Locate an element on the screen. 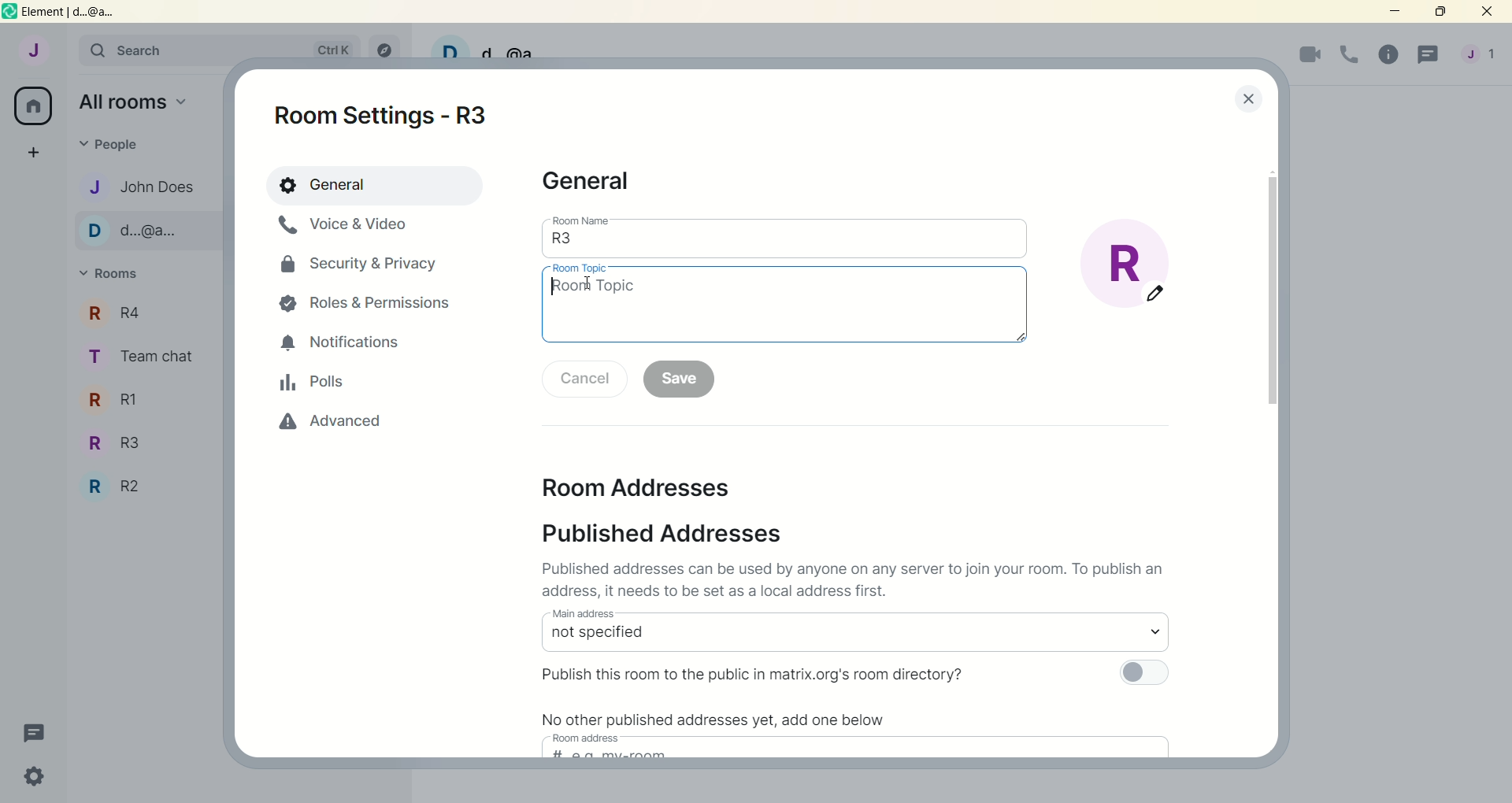 This screenshot has width=1512, height=803. voice call is located at coordinates (1350, 54).